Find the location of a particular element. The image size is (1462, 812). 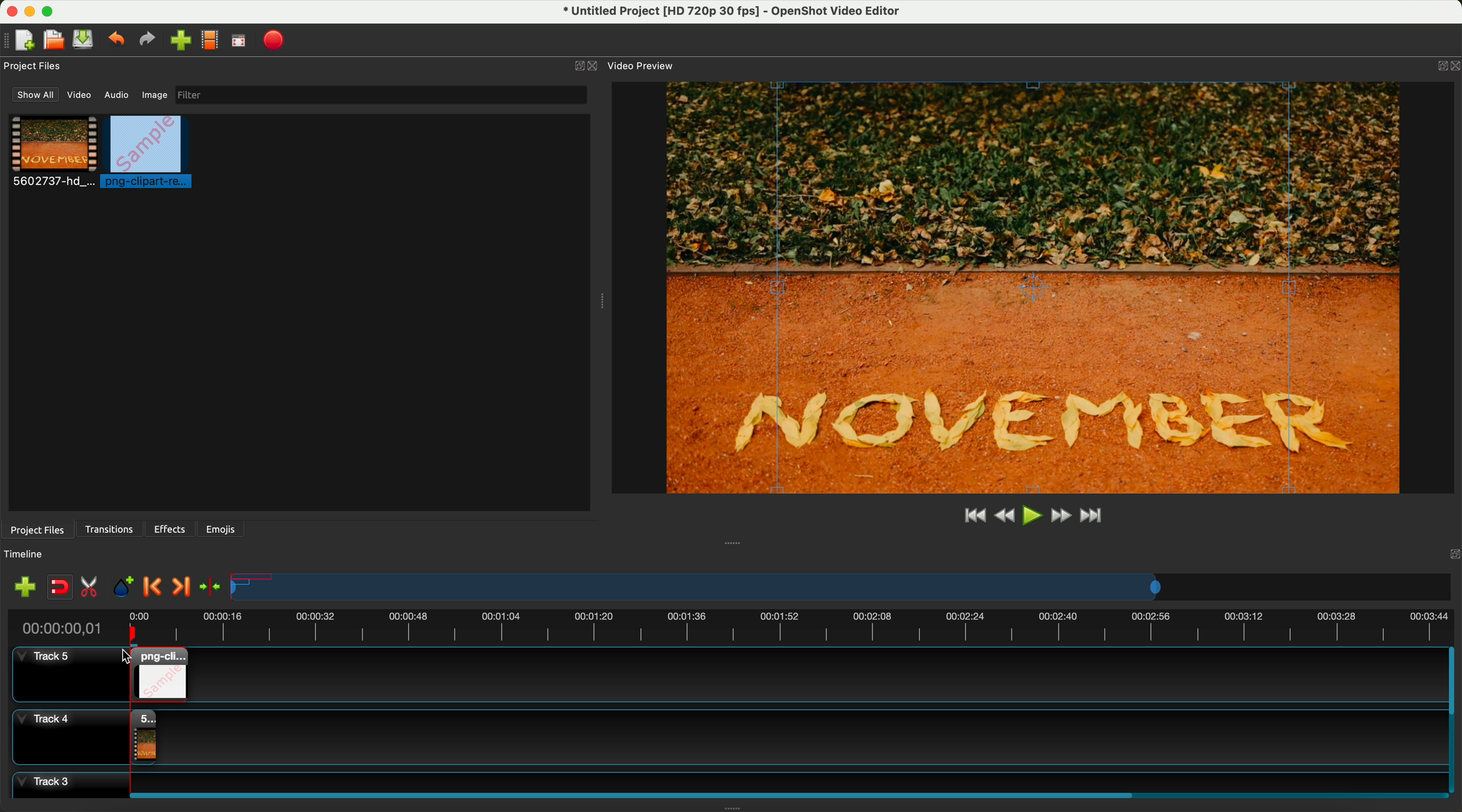

video preview is located at coordinates (640, 66).